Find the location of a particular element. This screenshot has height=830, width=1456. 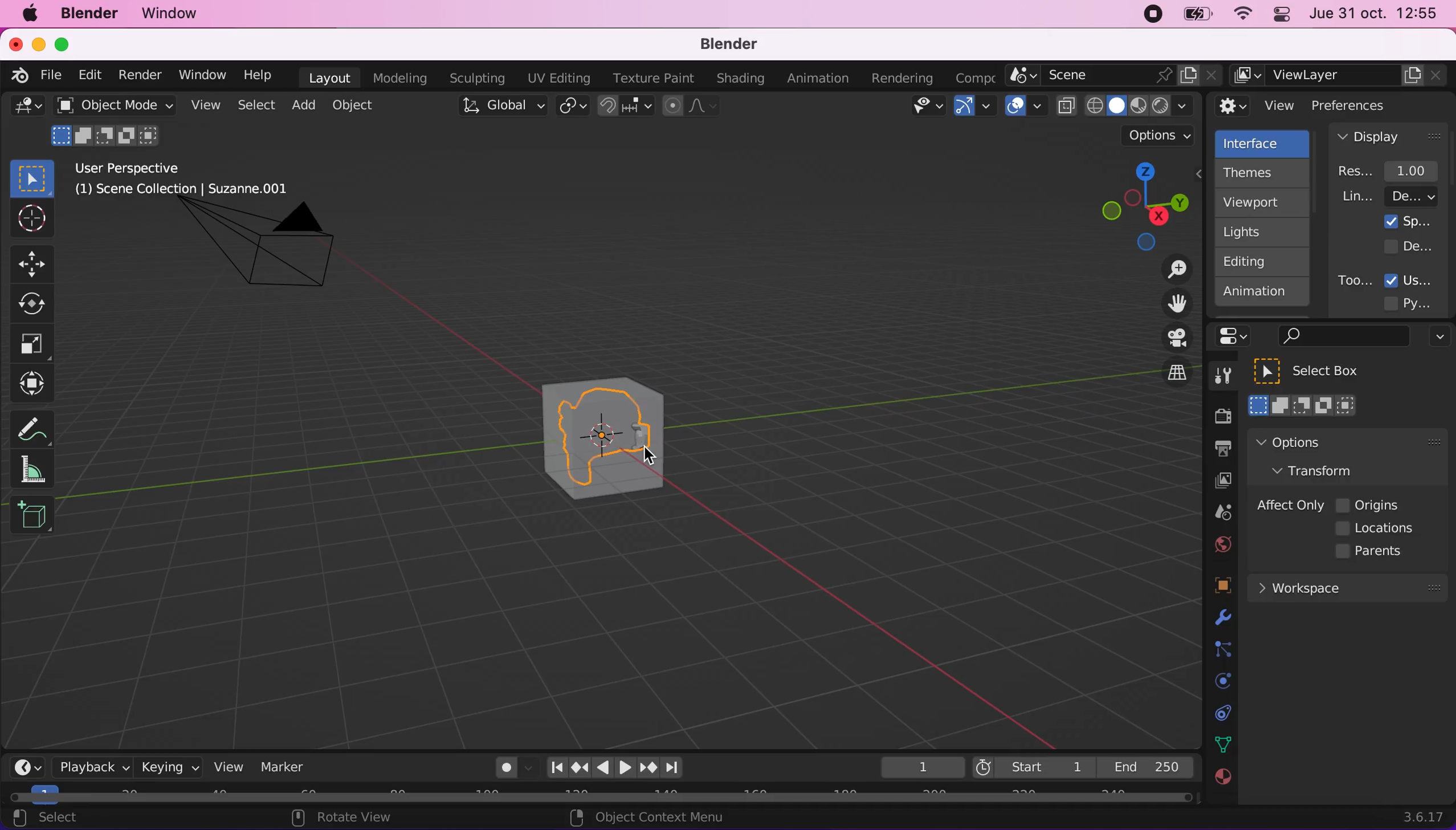

uv editing is located at coordinates (558, 78).